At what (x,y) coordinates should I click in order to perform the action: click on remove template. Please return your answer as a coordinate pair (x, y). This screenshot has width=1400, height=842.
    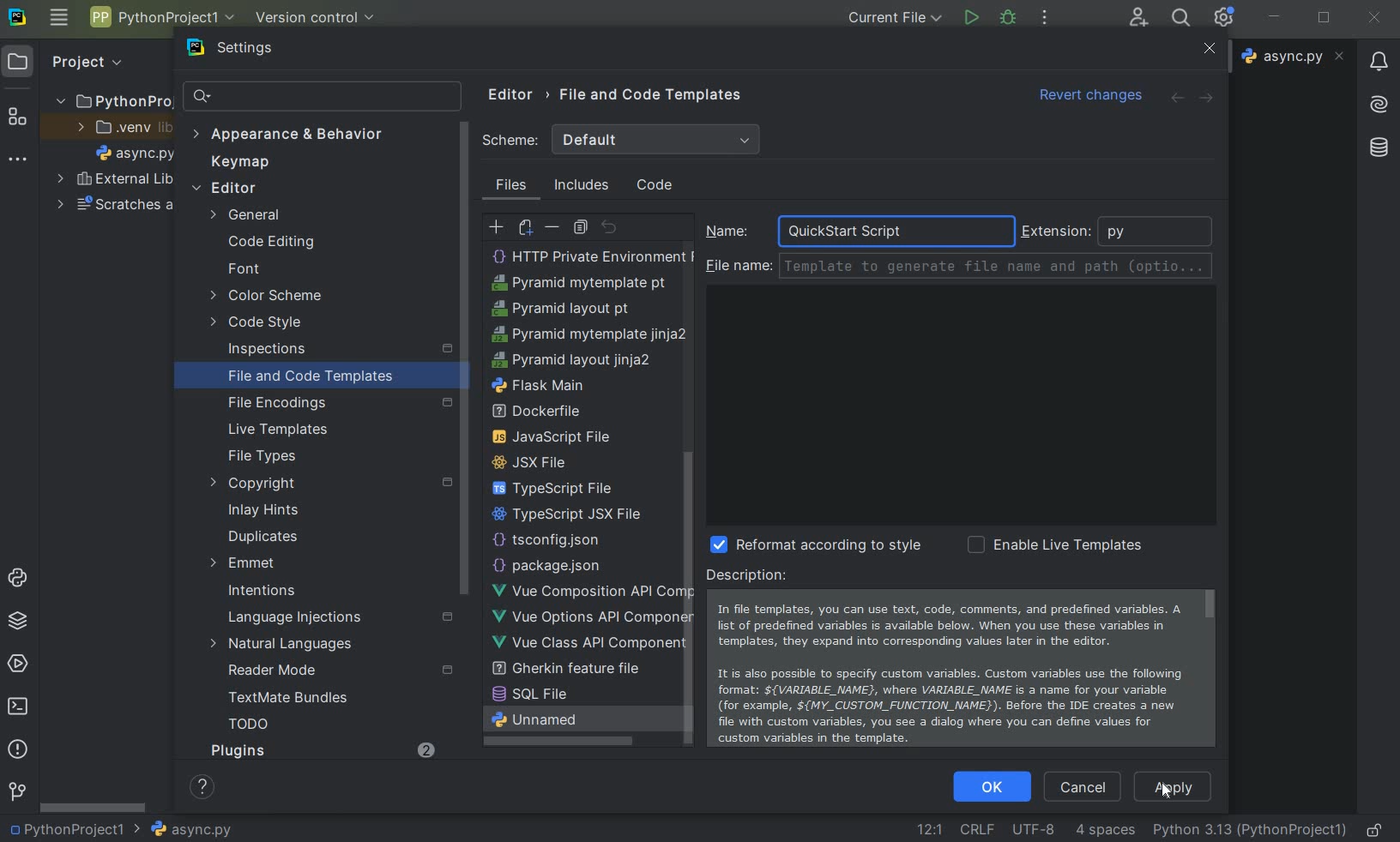
    Looking at the image, I should click on (553, 226).